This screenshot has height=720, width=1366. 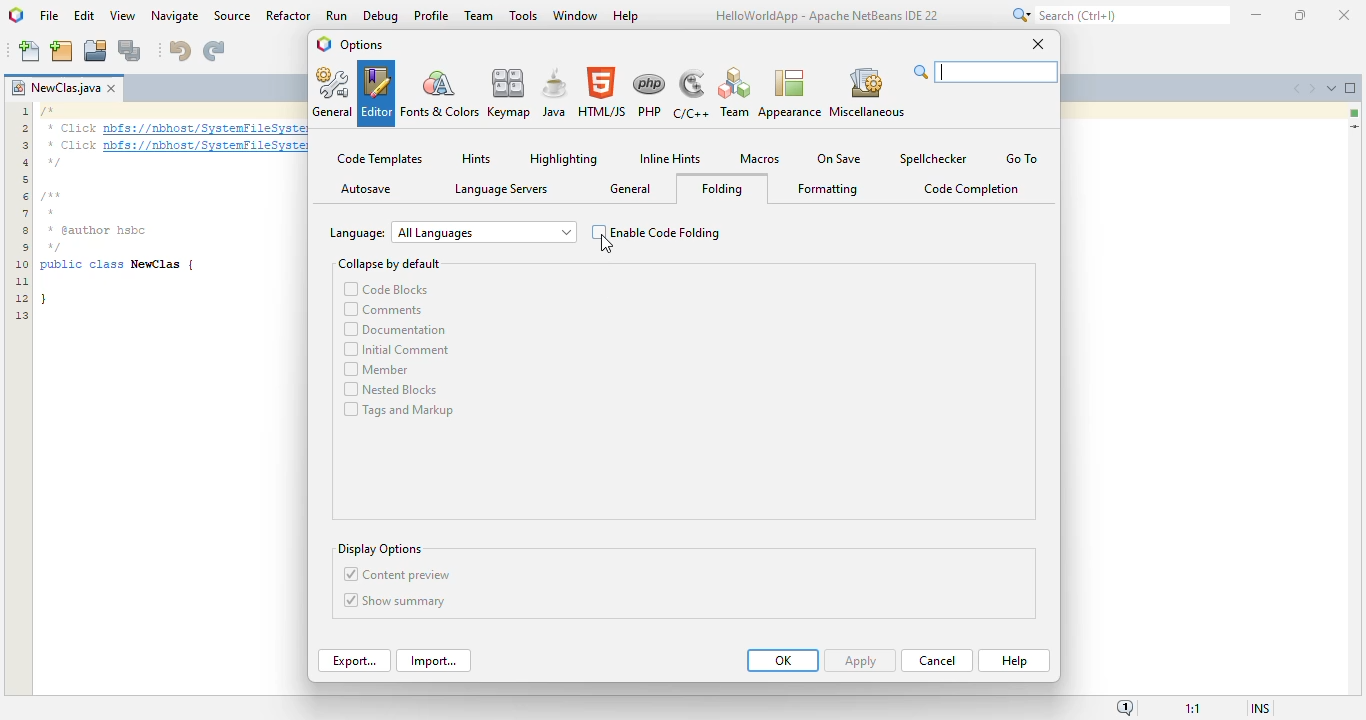 I want to click on undo, so click(x=180, y=51).